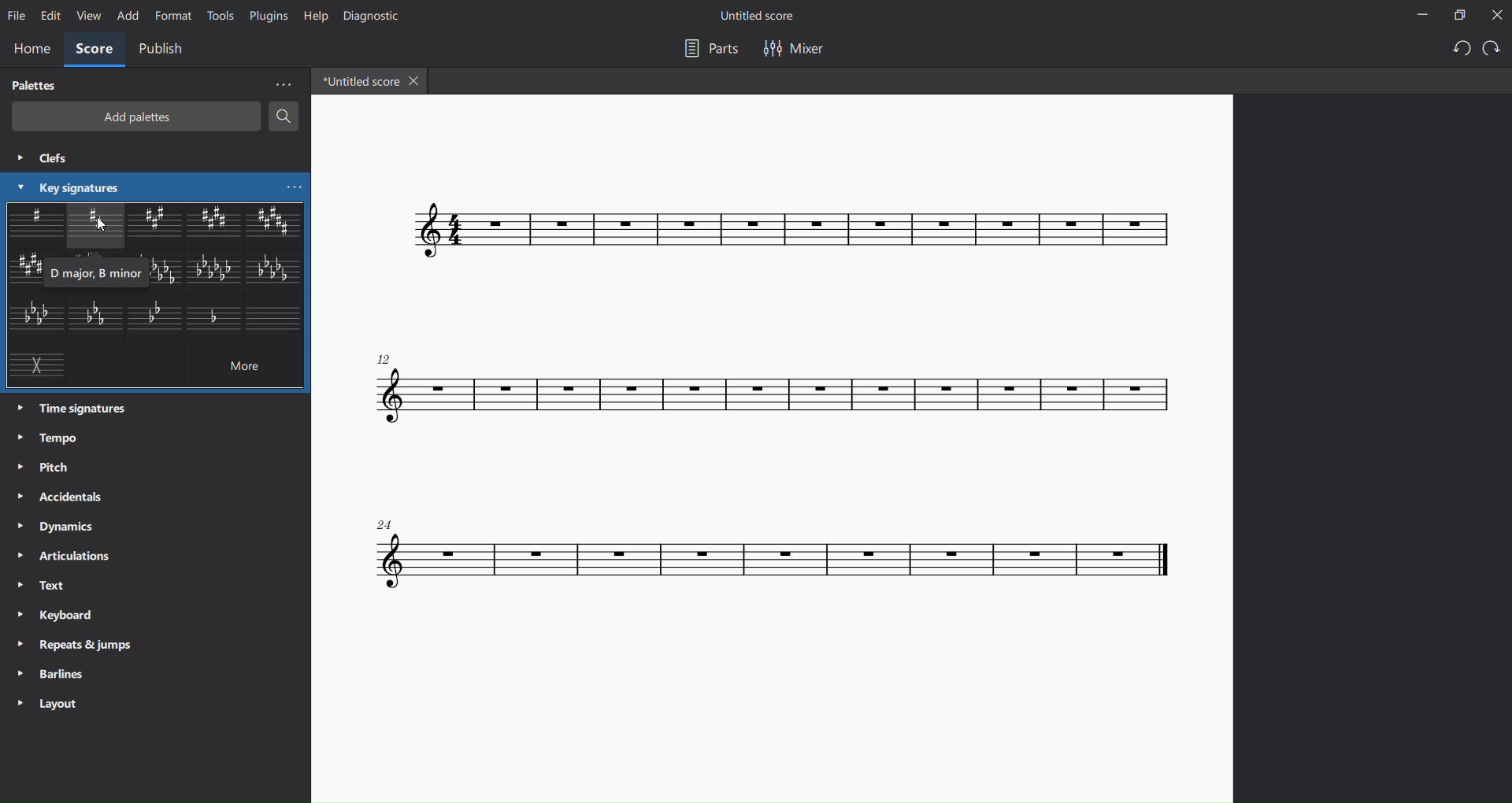  What do you see at coordinates (283, 83) in the screenshot?
I see `more` at bounding box center [283, 83].